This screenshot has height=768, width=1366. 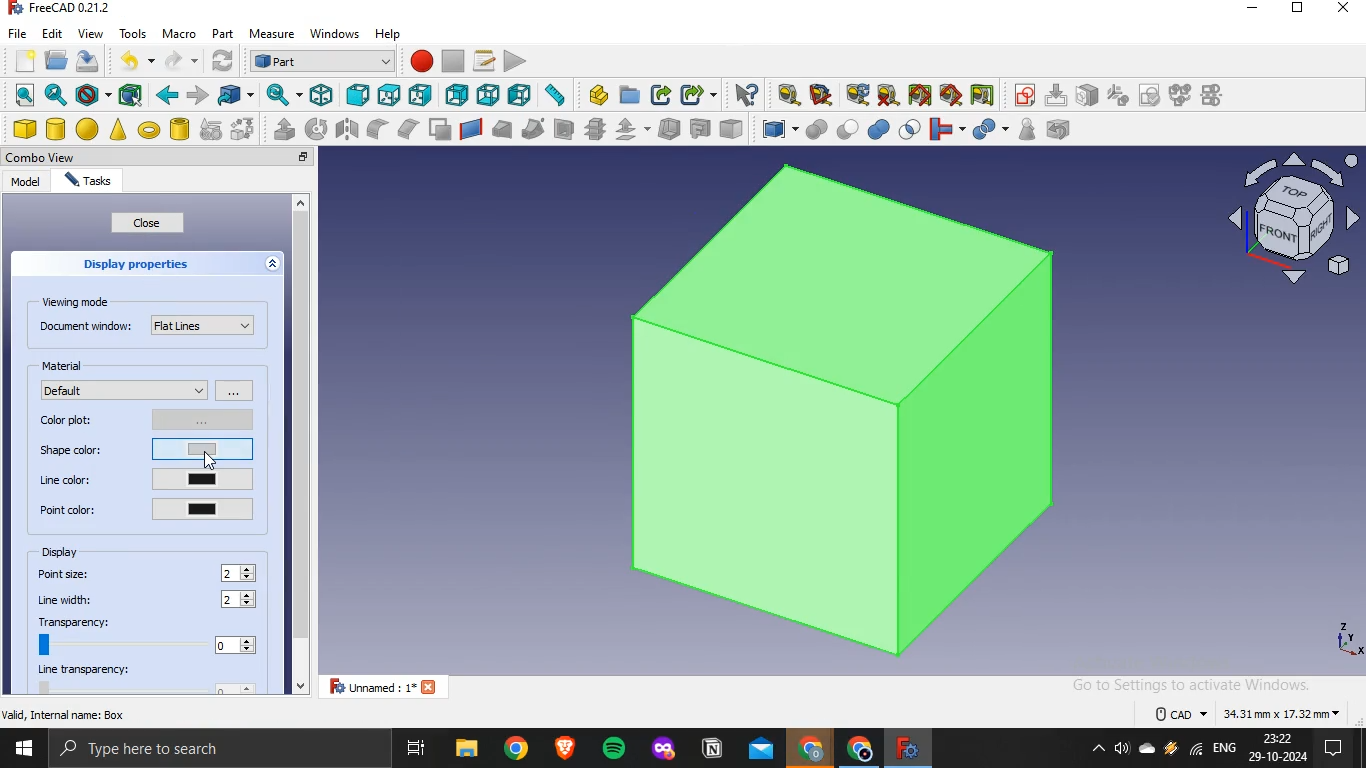 What do you see at coordinates (68, 600) in the screenshot?
I see `line width` at bounding box center [68, 600].